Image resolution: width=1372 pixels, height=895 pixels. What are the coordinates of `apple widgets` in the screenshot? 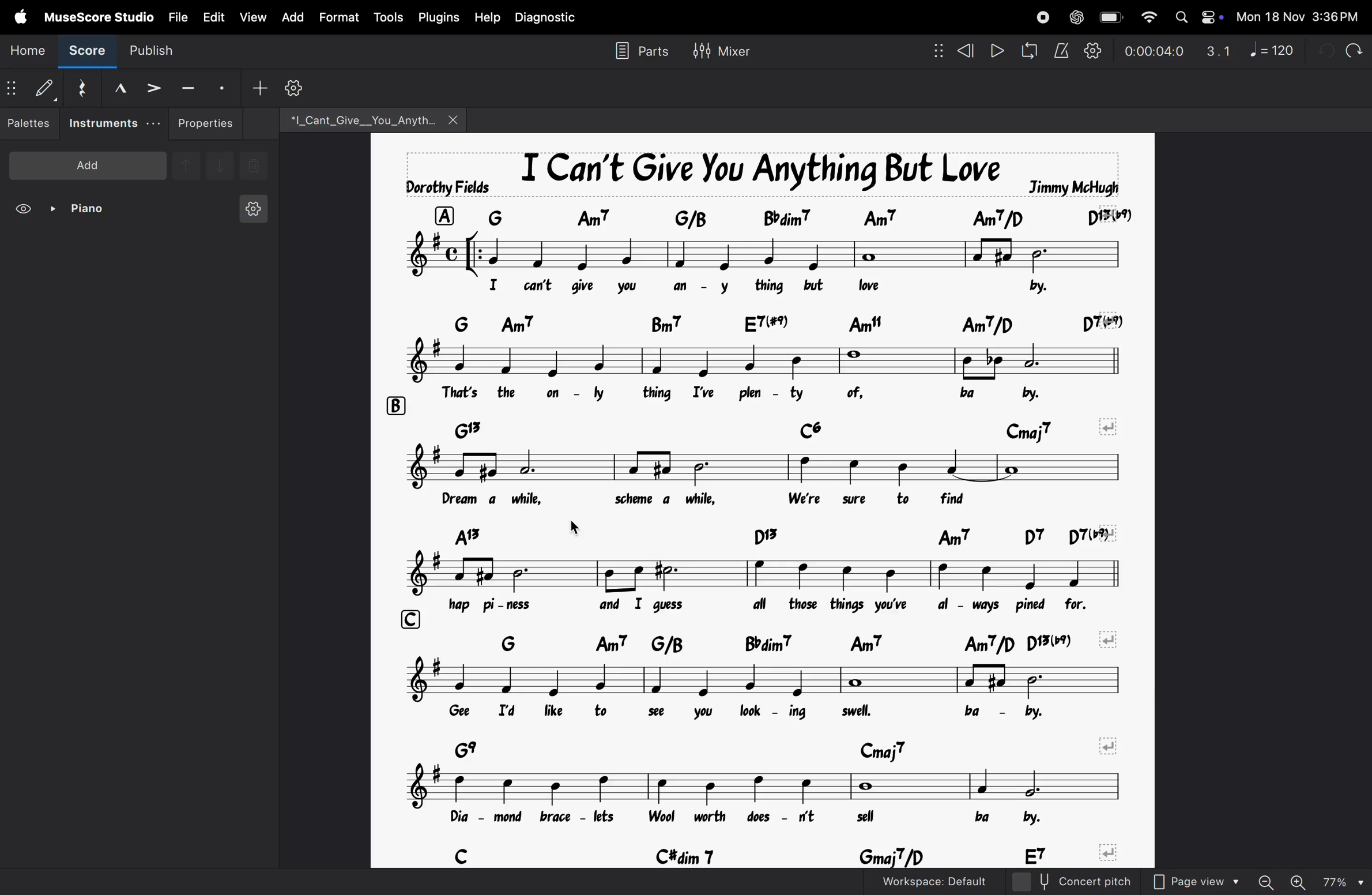 It's located at (1196, 17).